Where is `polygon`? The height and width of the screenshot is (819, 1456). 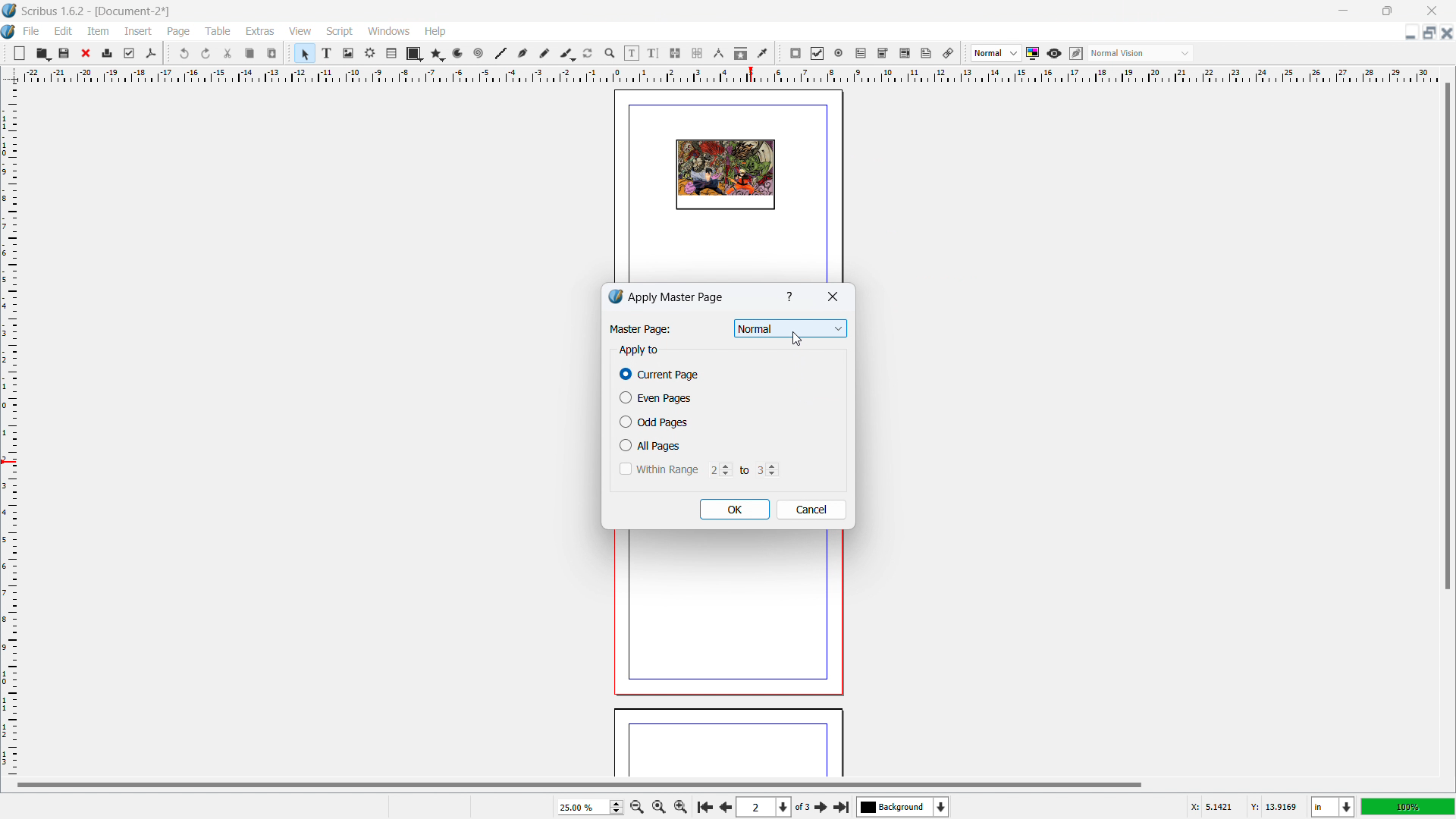
polygon is located at coordinates (438, 54).